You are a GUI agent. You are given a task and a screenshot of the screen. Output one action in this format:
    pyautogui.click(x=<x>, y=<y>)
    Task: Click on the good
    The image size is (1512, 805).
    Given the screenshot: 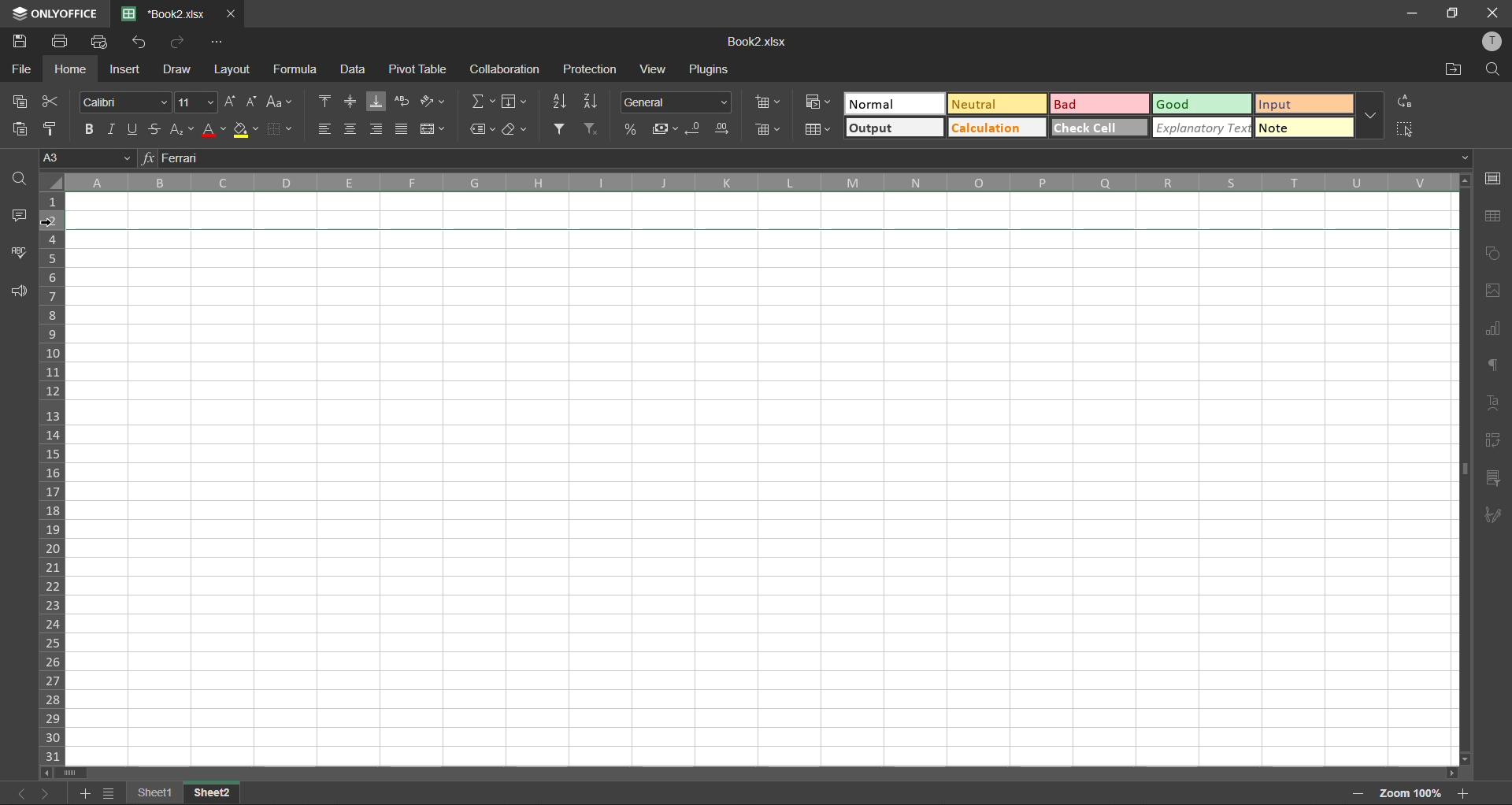 What is the action you would take?
    pyautogui.click(x=1204, y=103)
    